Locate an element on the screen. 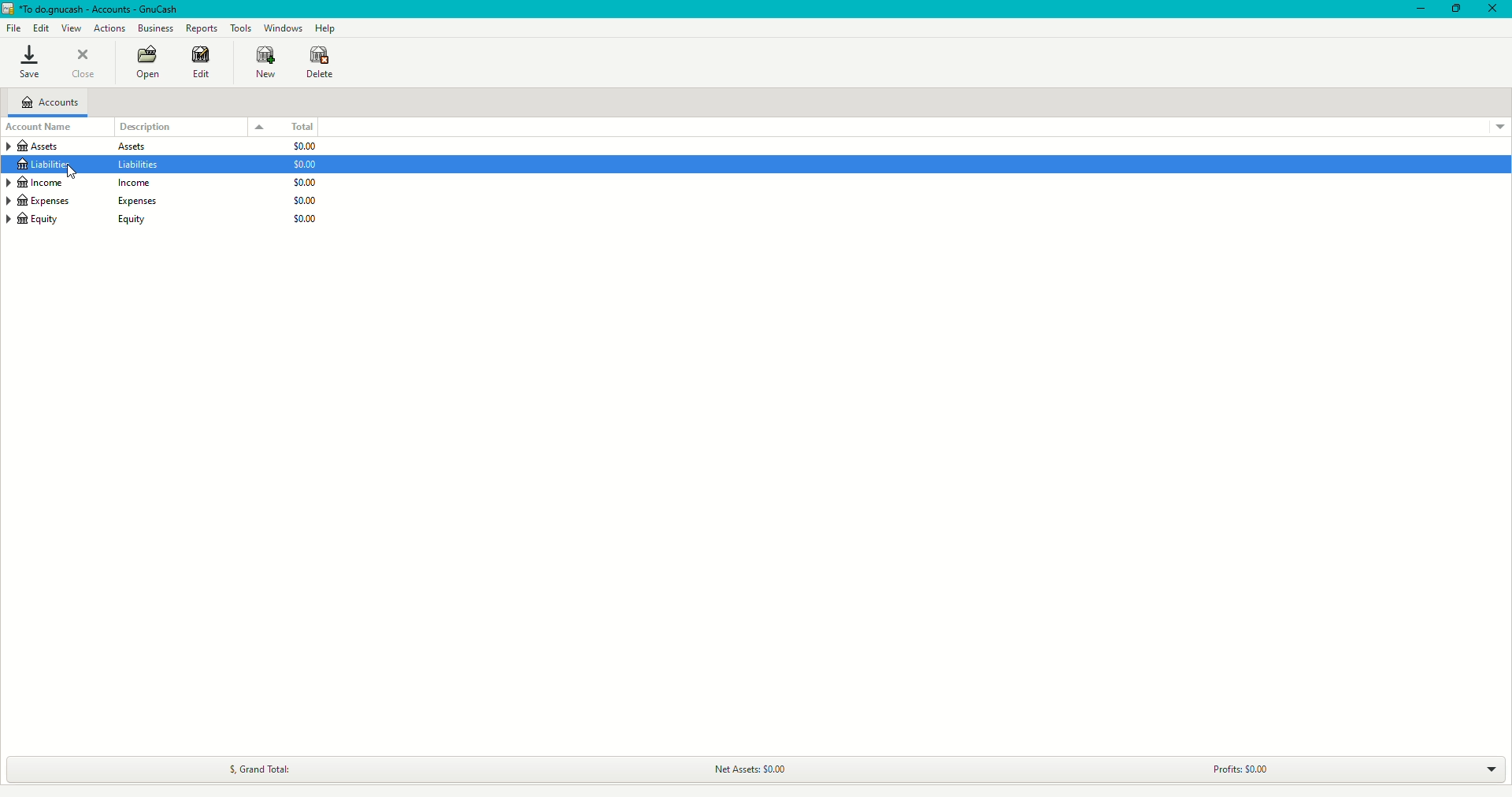  Drop down is located at coordinates (1491, 769).